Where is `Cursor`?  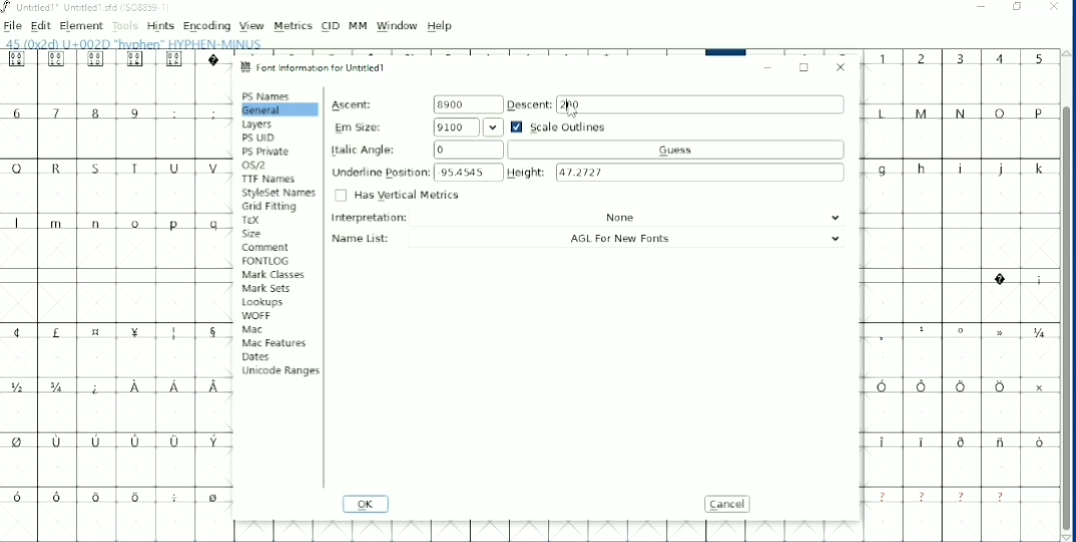 Cursor is located at coordinates (571, 110).